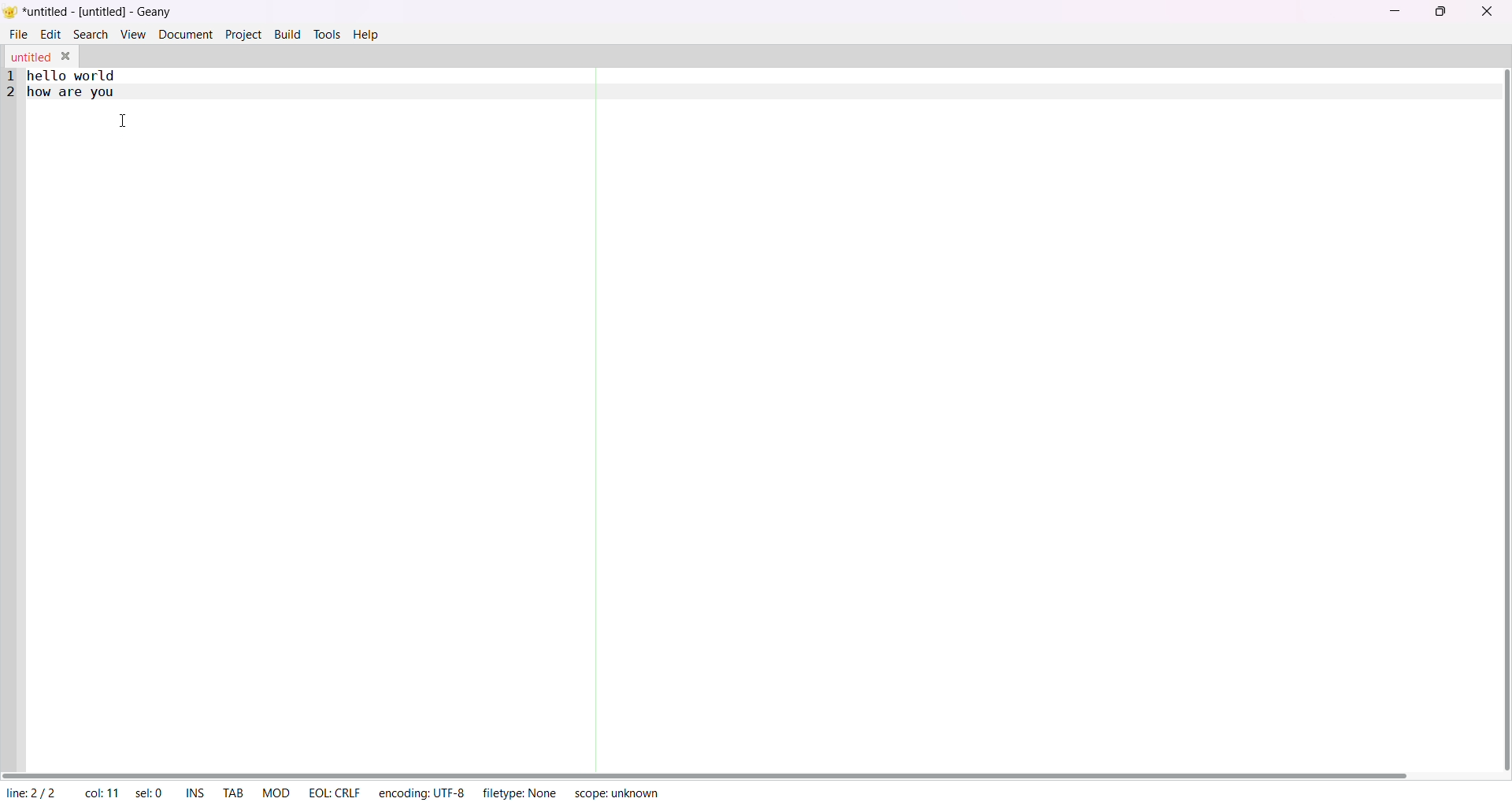  I want to click on view, so click(132, 33).